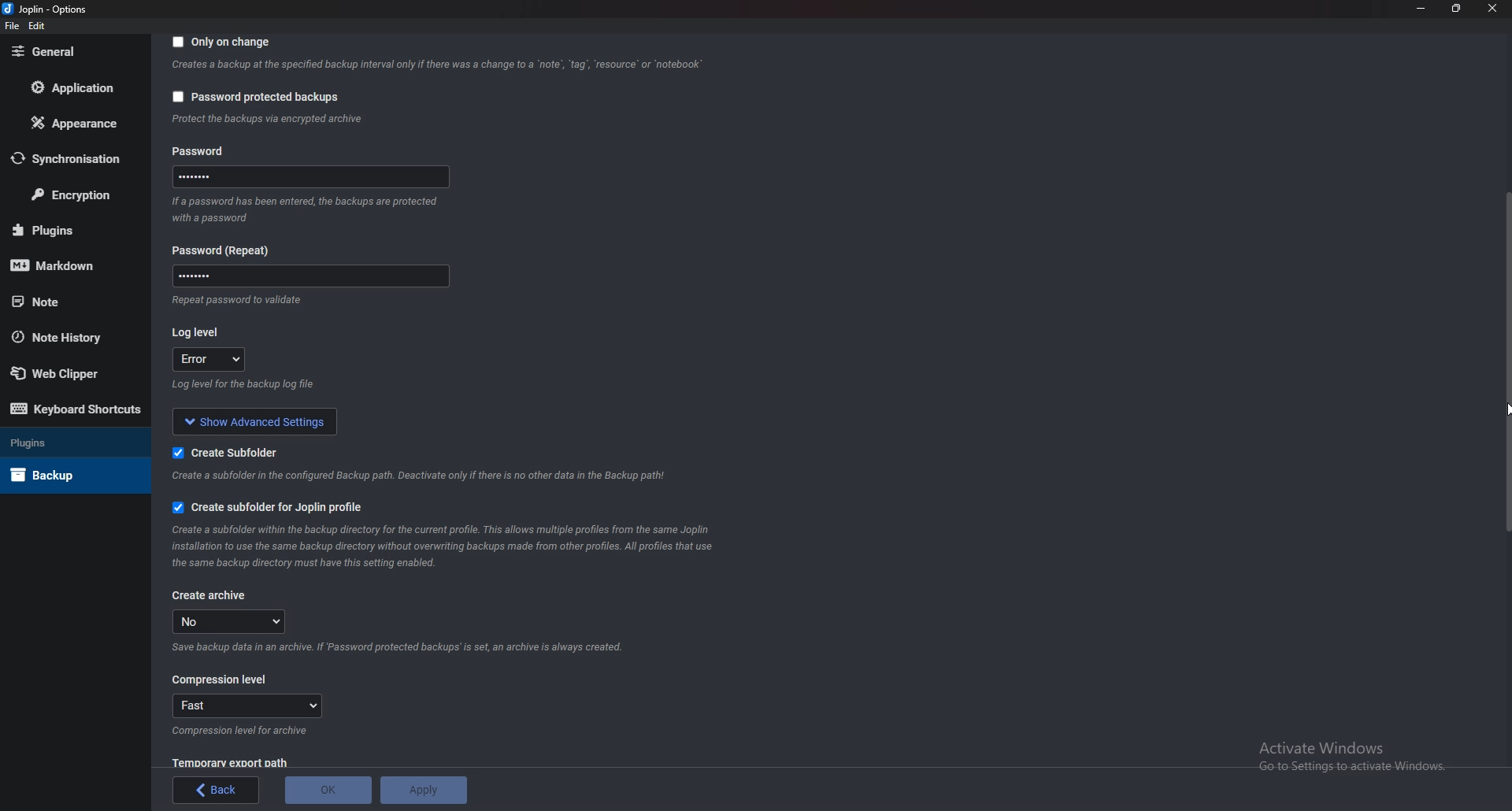  What do you see at coordinates (69, 87) in the screenshot?
I see `Application` at bounding box center [69, 87].